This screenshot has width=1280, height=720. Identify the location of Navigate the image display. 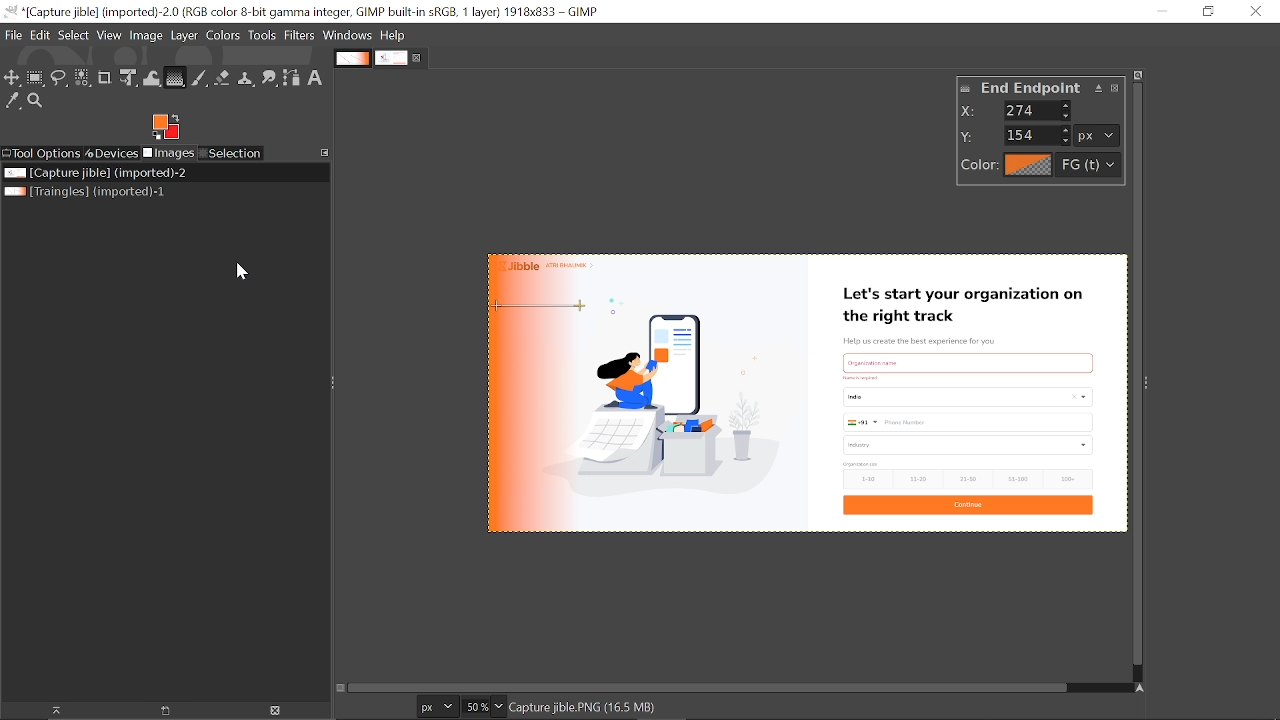
(1139, 687).